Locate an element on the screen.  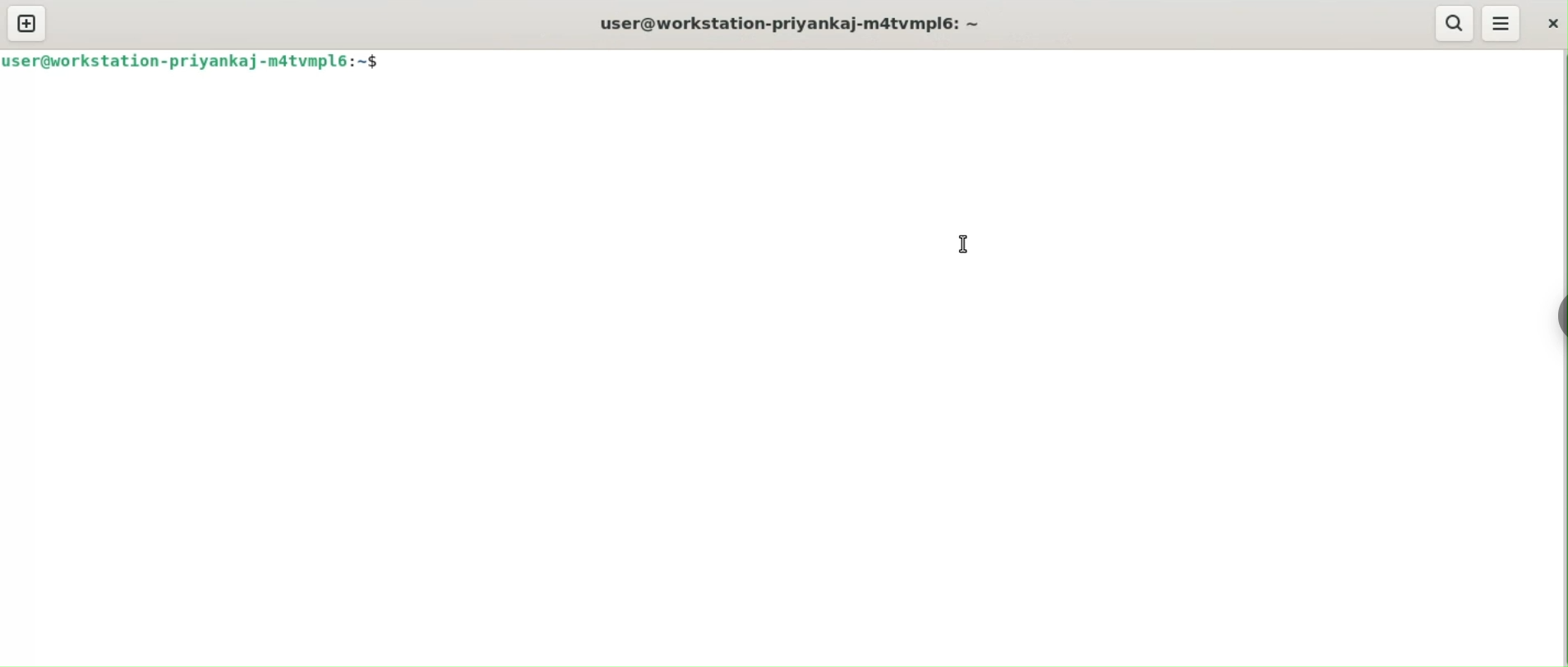
user@workstation-priyankaj-m4tvmpl6: ~$ is located at coordinates (197, 63).